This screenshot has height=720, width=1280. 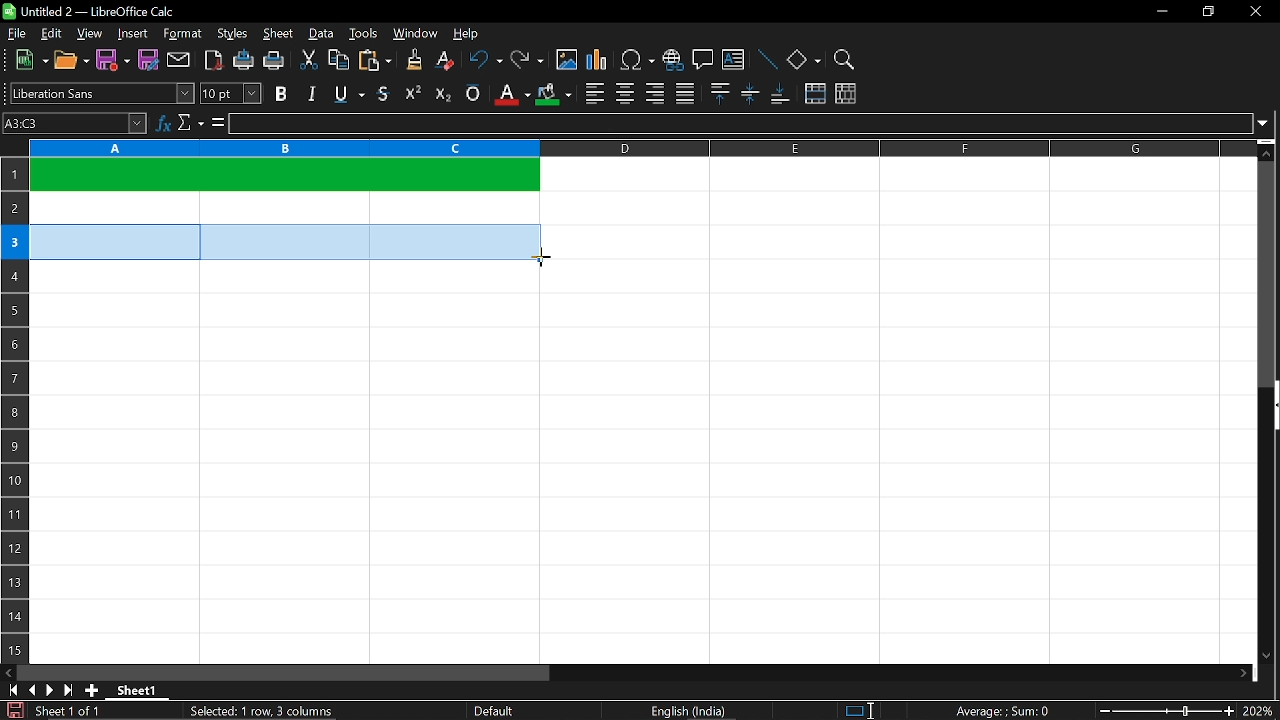 I want to click on align top, so click(x=719, y=94).